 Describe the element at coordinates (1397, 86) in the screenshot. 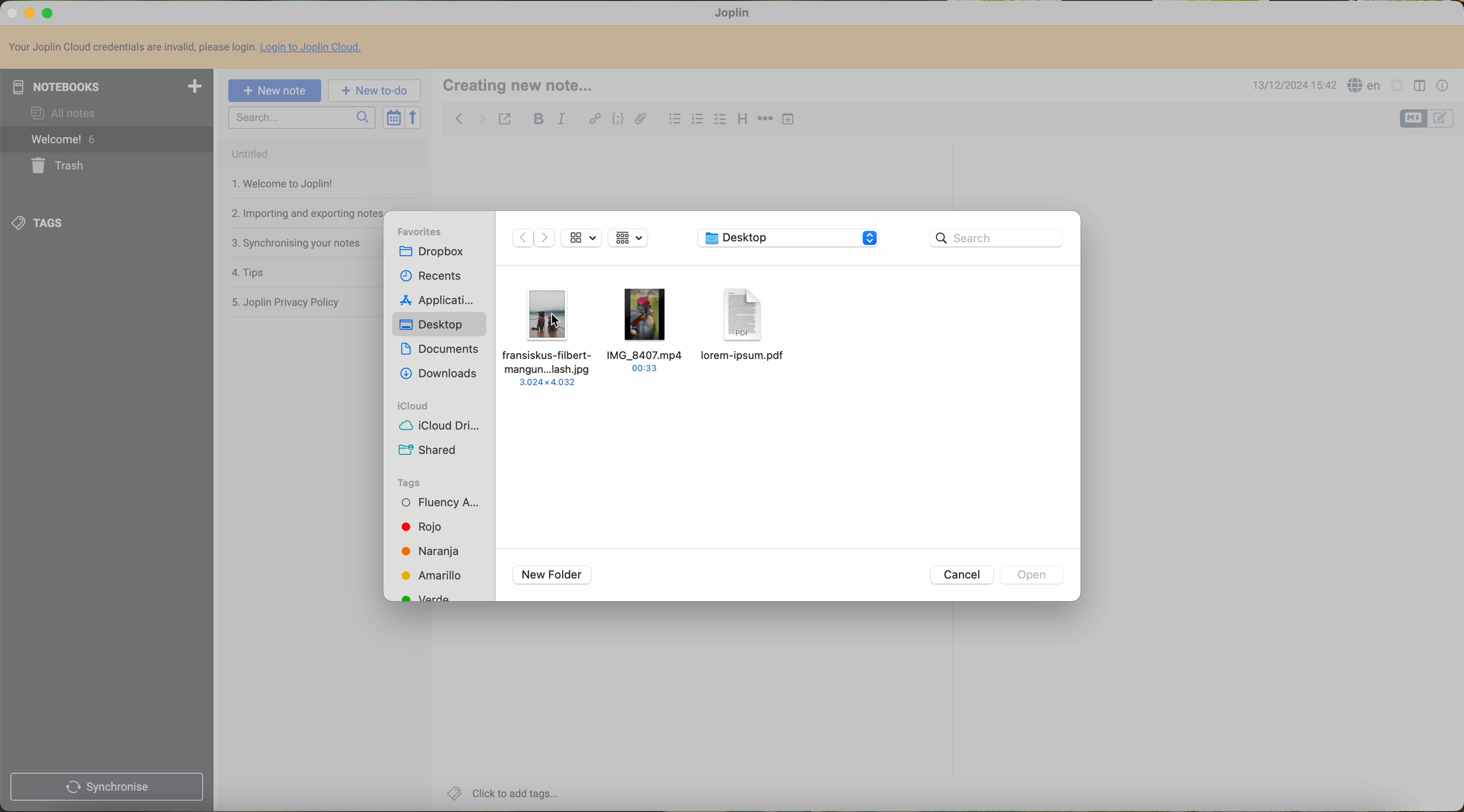

I see `set alarm` at that location.